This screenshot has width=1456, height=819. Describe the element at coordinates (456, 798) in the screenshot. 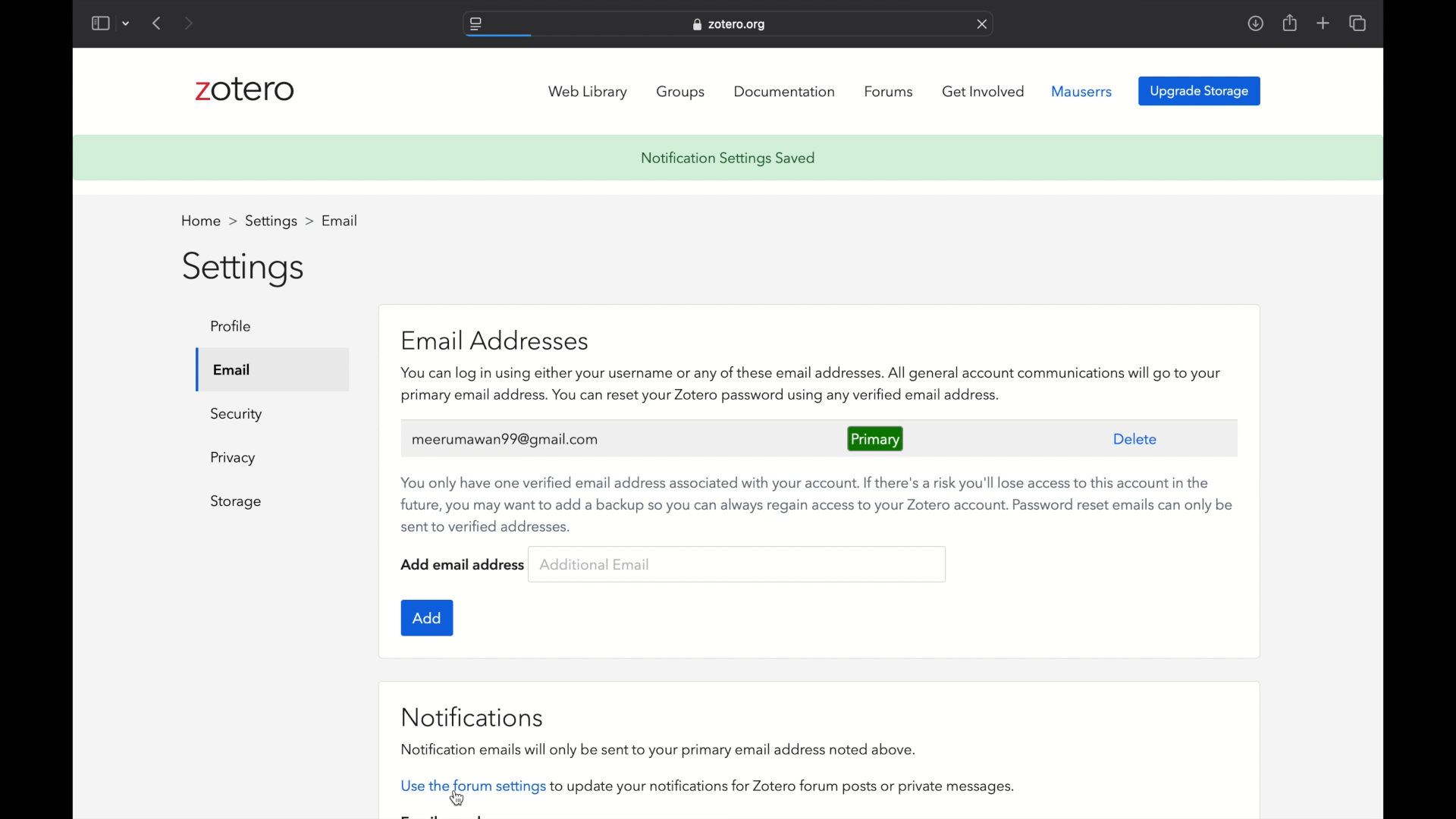

I see `cursor` at that location.